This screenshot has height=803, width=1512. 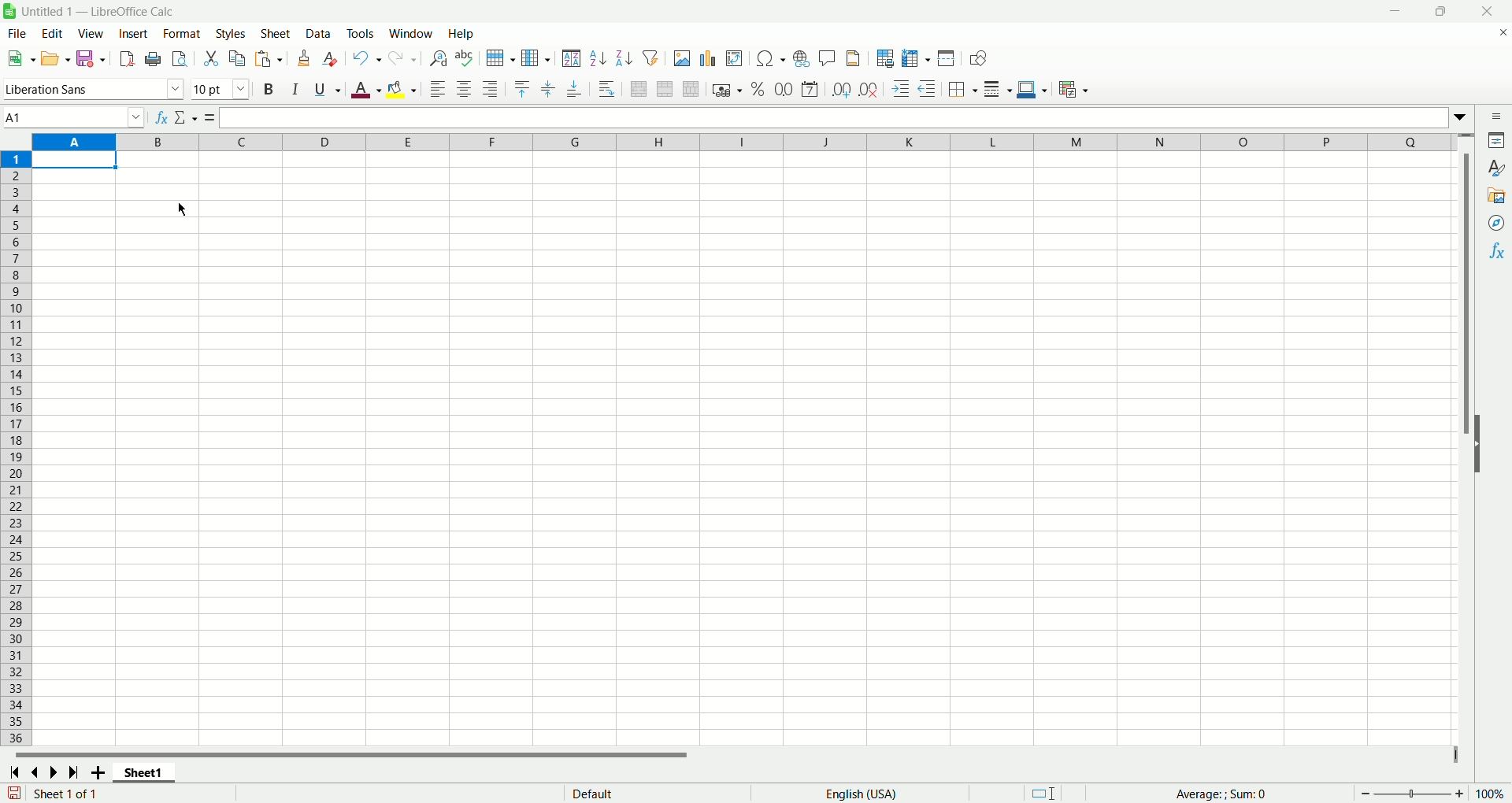 What do you see at coordinates (90, 58) in the screenshot?
I see `save` at bounding box center [90, 58].